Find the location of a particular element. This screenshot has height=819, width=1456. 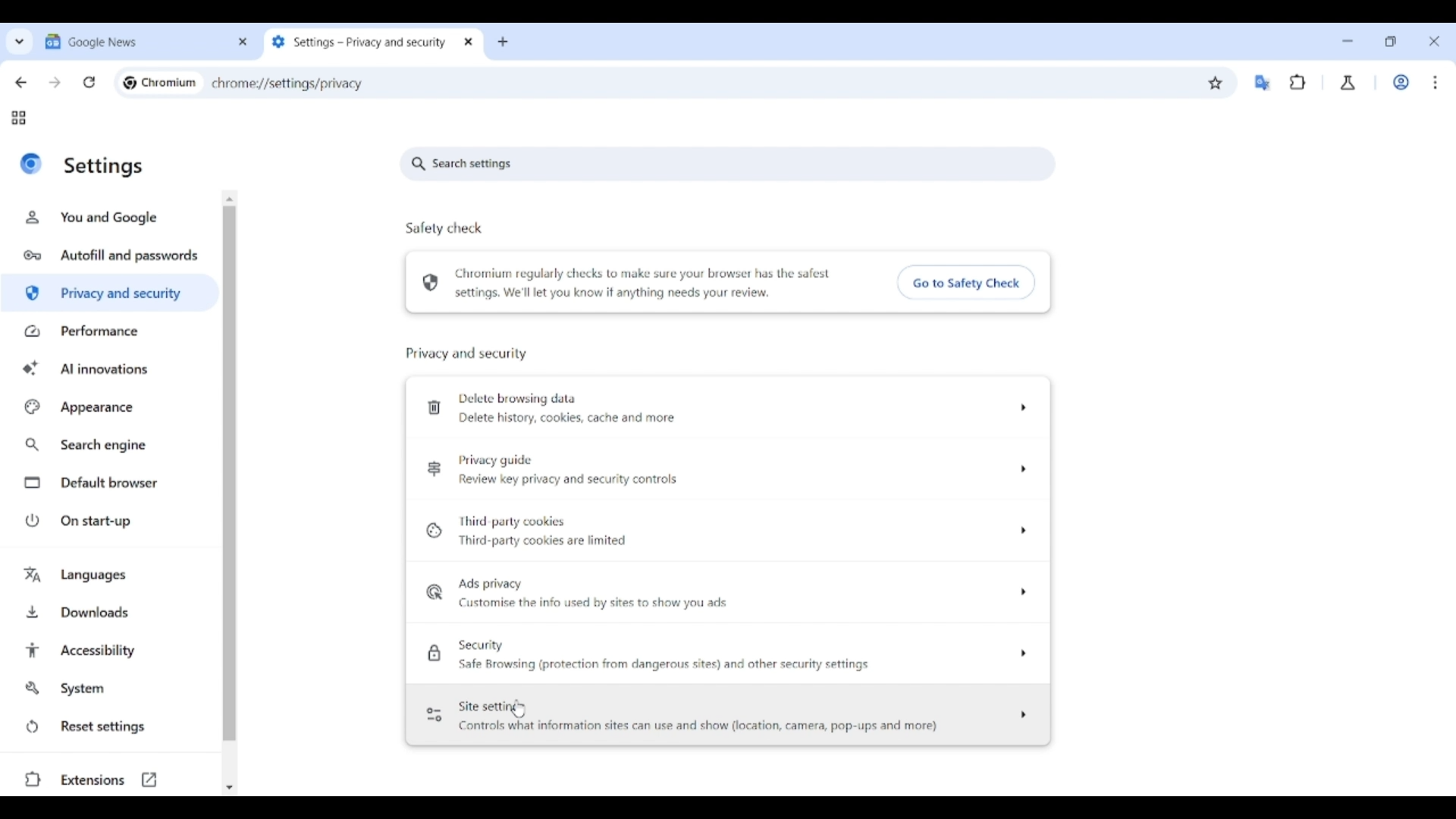

Go to safety check is located at coordinates (967, 282).